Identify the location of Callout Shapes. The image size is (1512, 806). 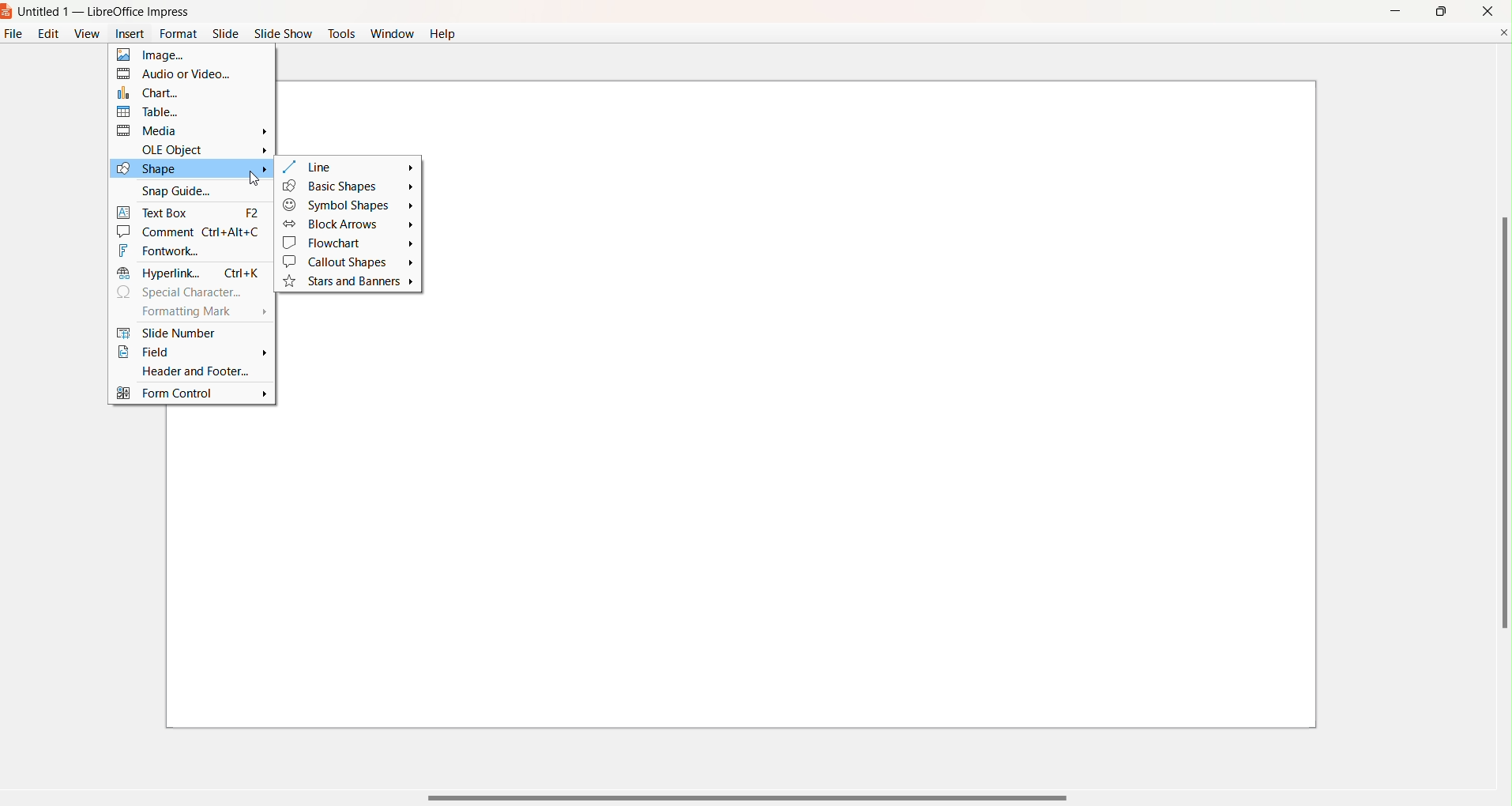
(348, 262).